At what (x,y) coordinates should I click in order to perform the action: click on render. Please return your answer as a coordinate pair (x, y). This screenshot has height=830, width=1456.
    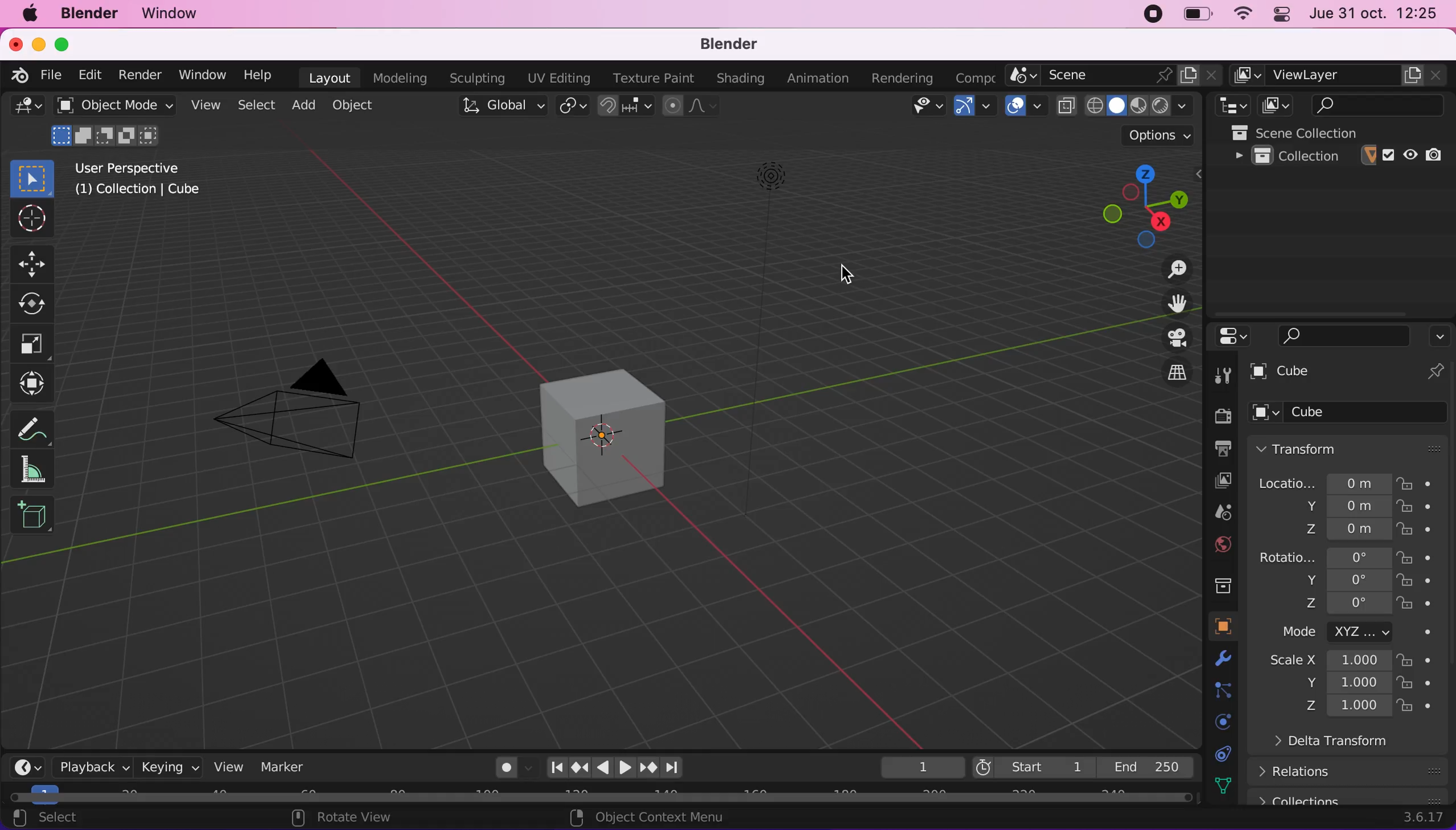
    Looking at the image, I should click on (1218, 415).